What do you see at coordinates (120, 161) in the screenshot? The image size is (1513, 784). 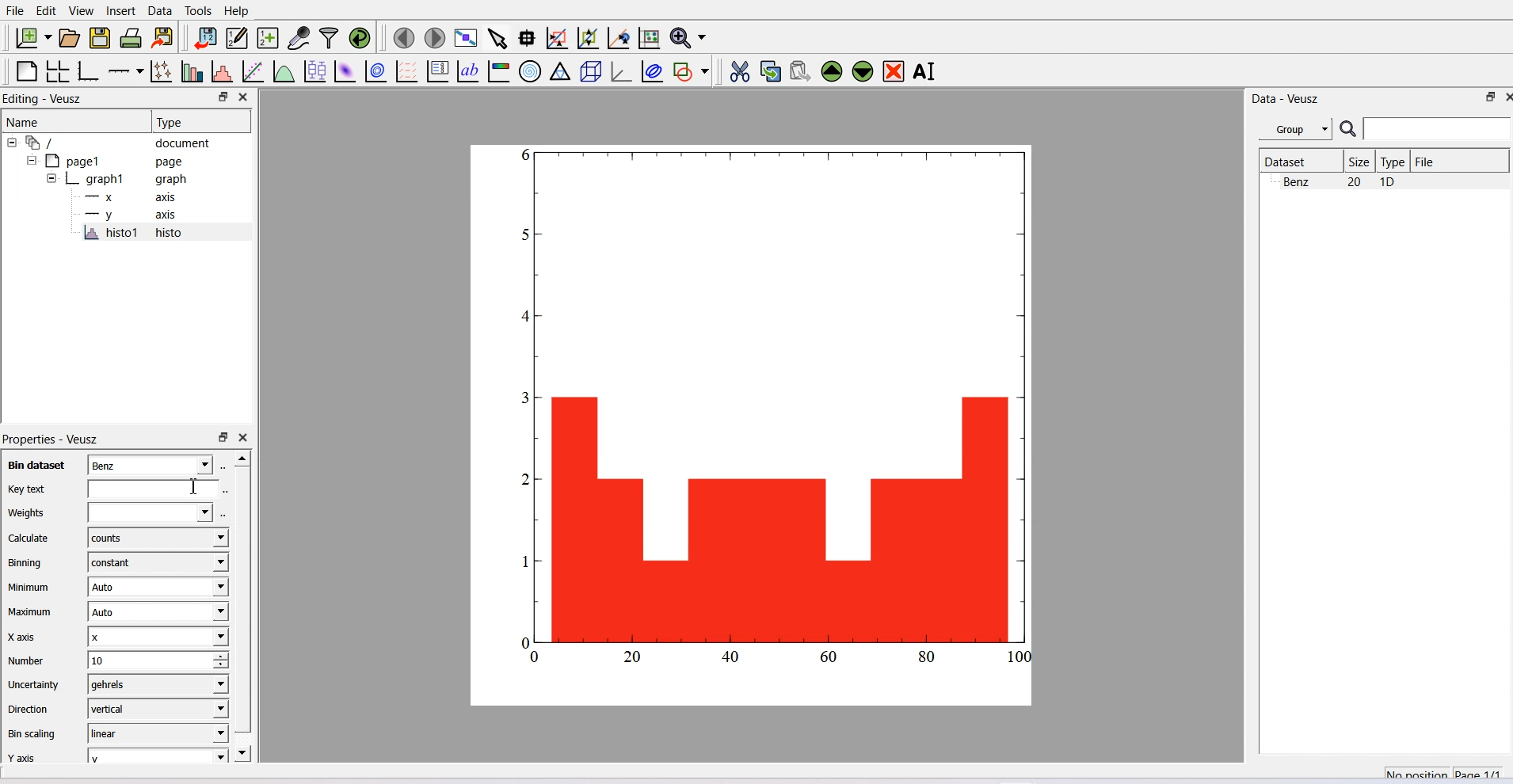 I see `Page` at bounding box center [120, 161].